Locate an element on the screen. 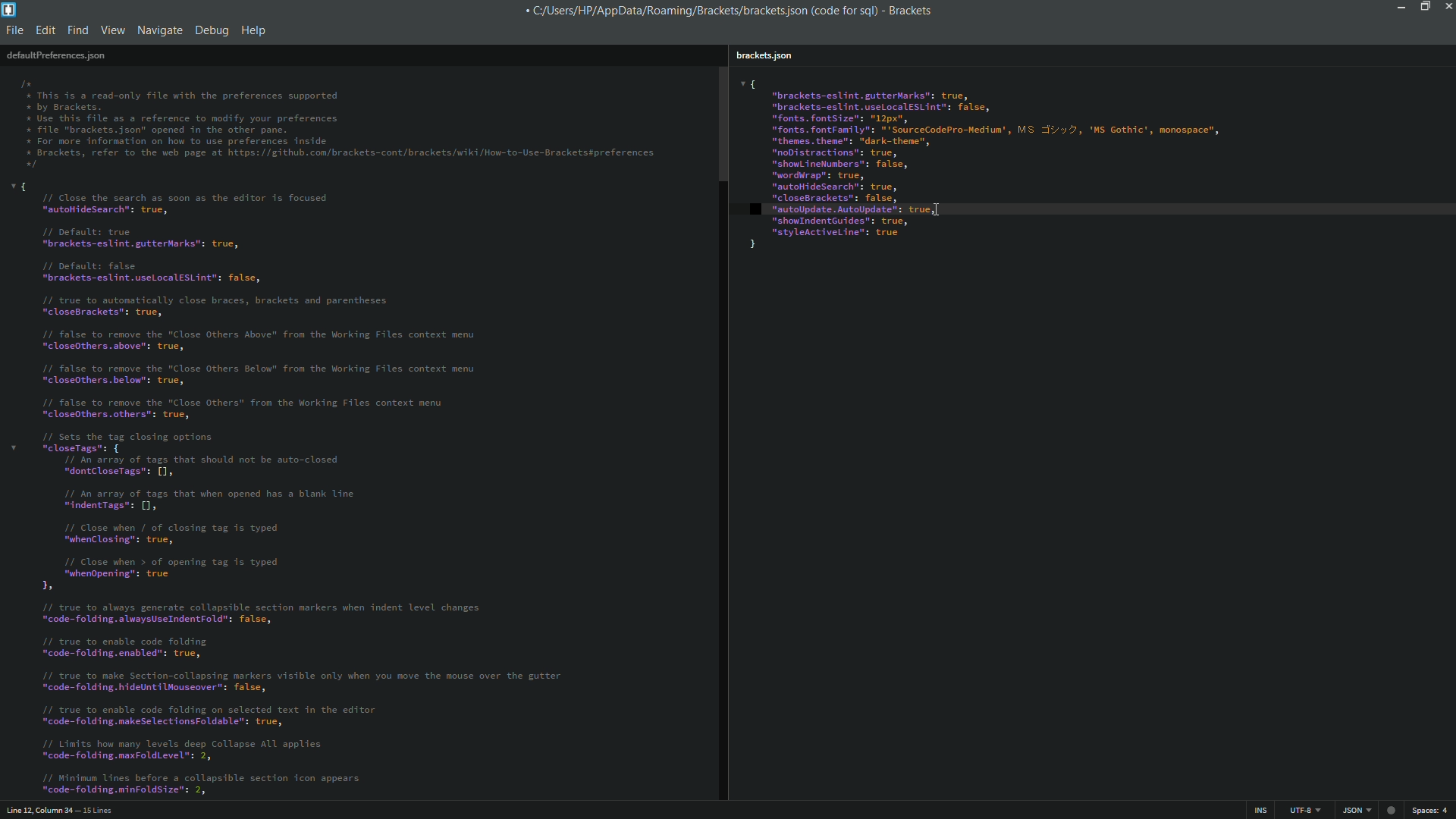 The height and width of the screenshot is (819, 1456). edit menu is located at coordinates (45, 30).